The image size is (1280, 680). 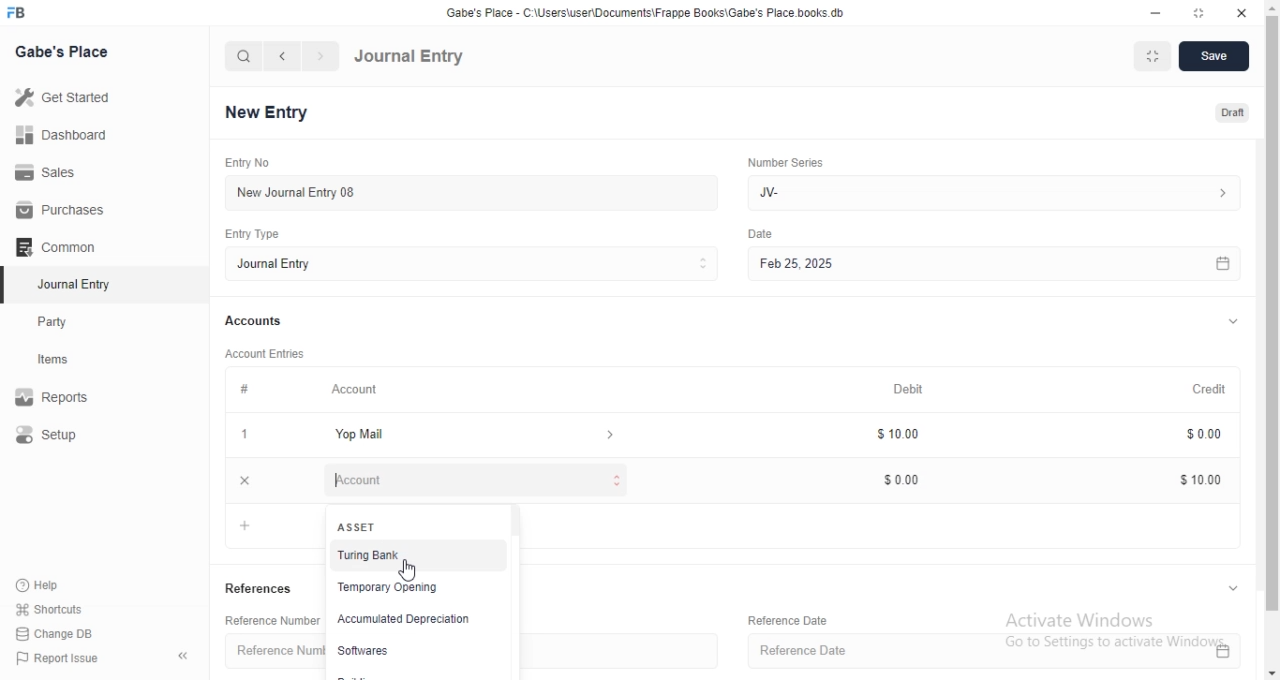 What do you see at coordinates (1210, 434) in the screenshot?
I see `$0.00` at bounding box center [1210, 434].